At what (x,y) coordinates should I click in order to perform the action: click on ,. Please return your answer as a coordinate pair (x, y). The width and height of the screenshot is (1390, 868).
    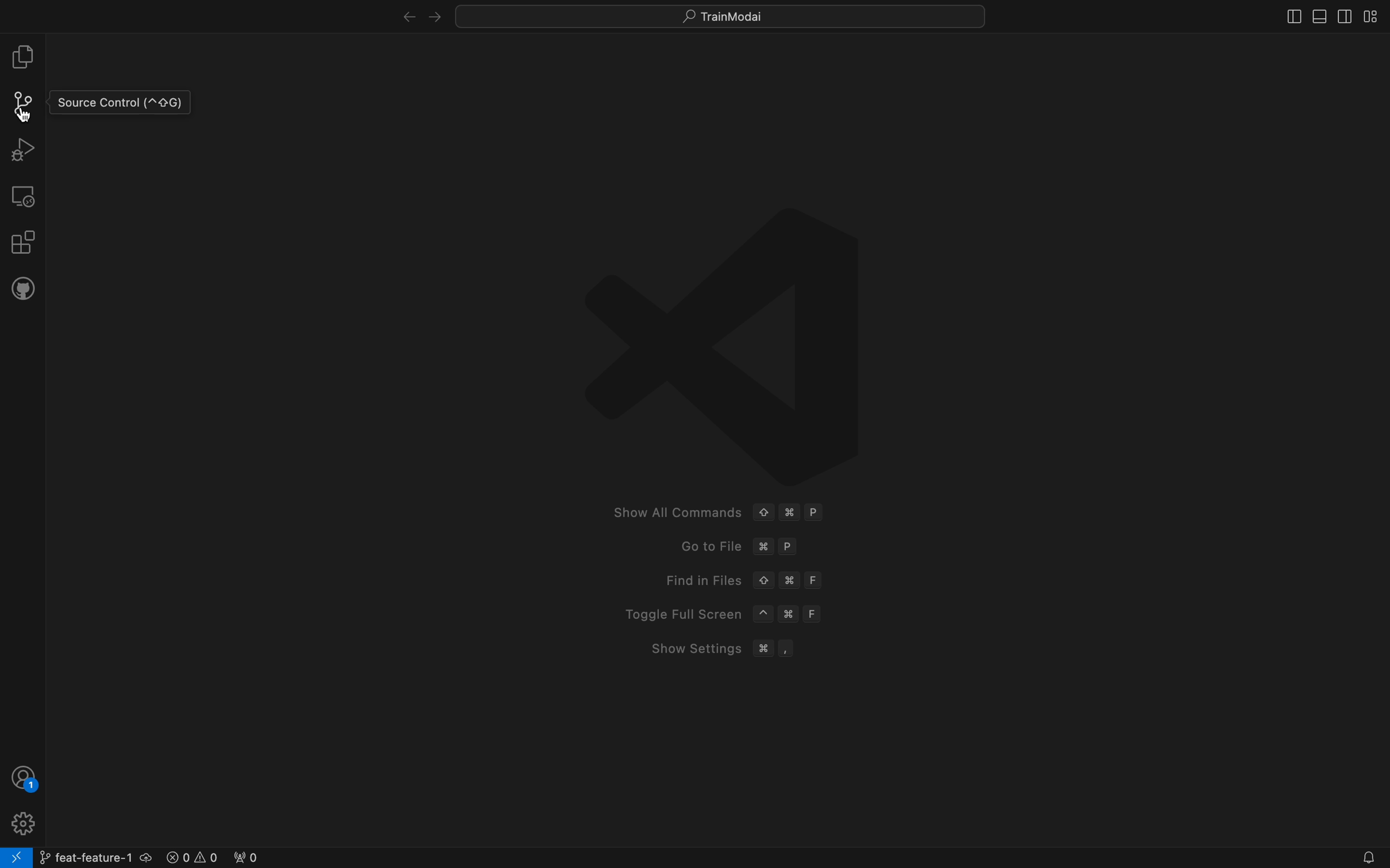
    Looking at the image, I should click on (786, 650).